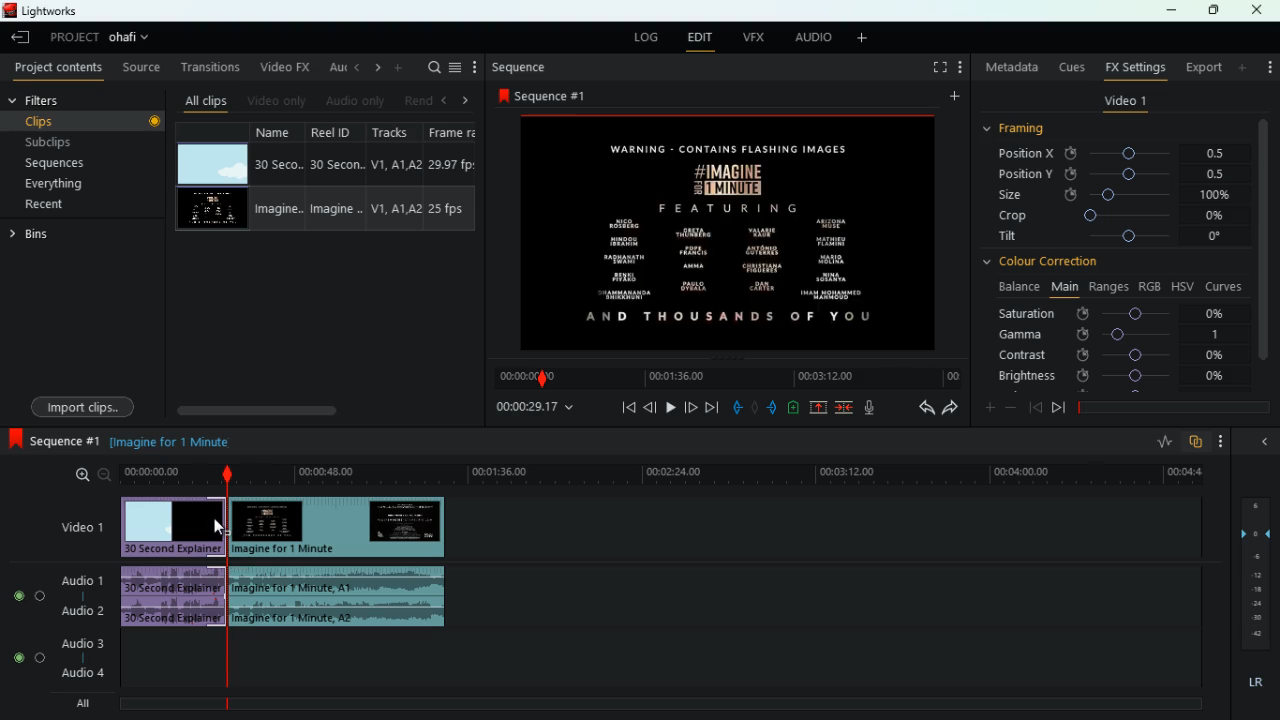 This screenshot has height=720, width=1280. What do you see at coordinates (23, 39) in the screenshot?
I see `back` at bounding box center [23, 39].